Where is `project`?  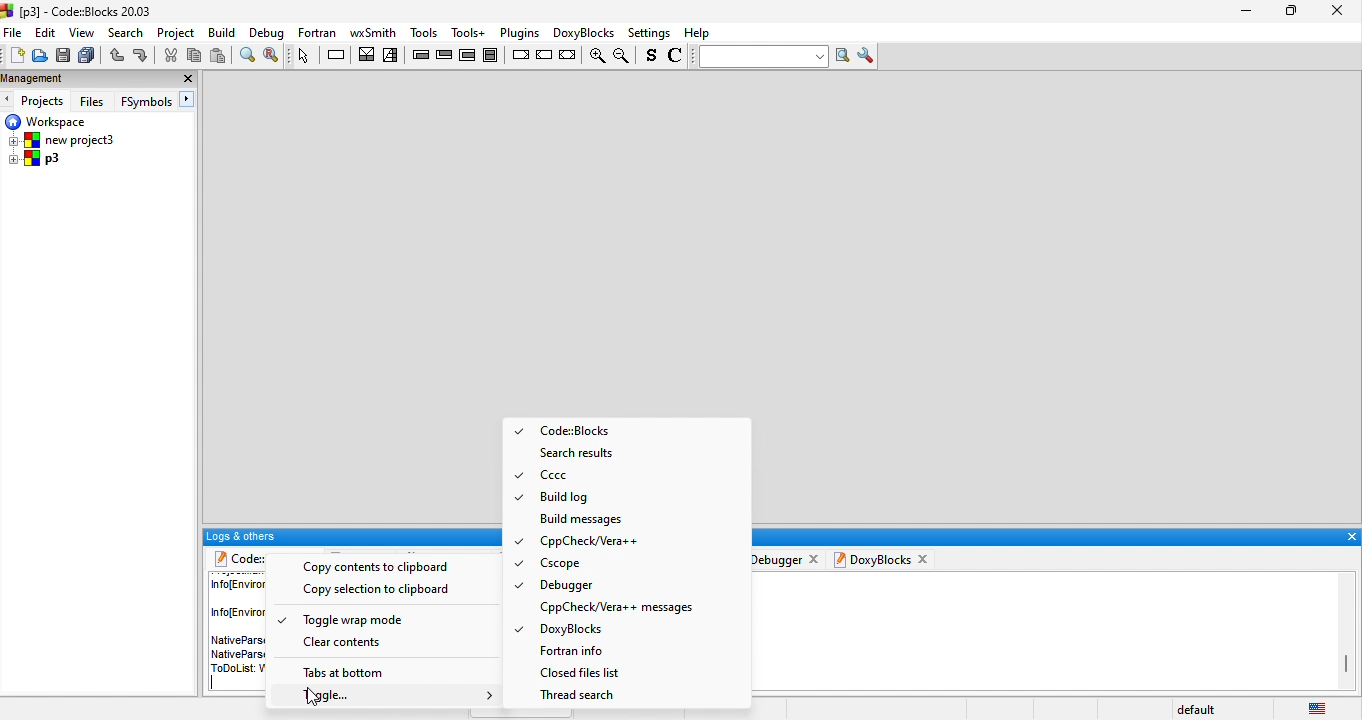 project is located at coordinates (178, 32).